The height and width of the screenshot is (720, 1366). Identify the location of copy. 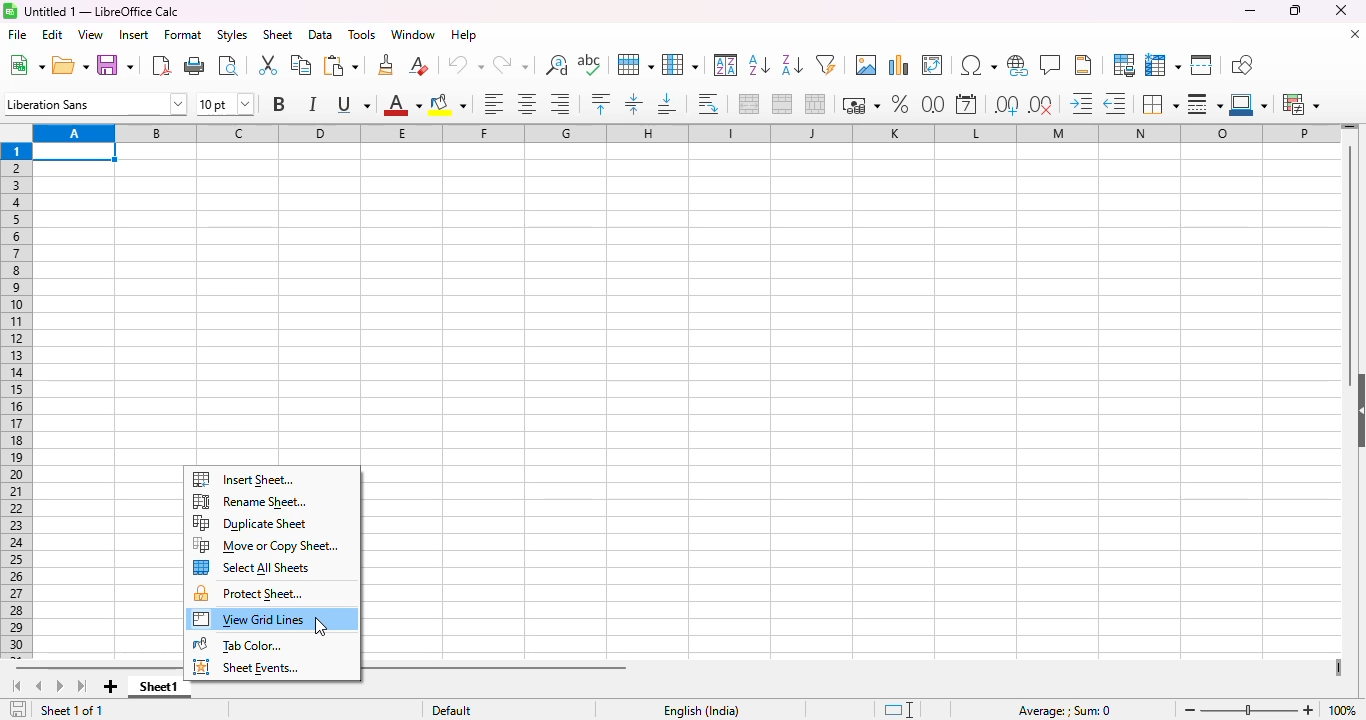
(301, 65).